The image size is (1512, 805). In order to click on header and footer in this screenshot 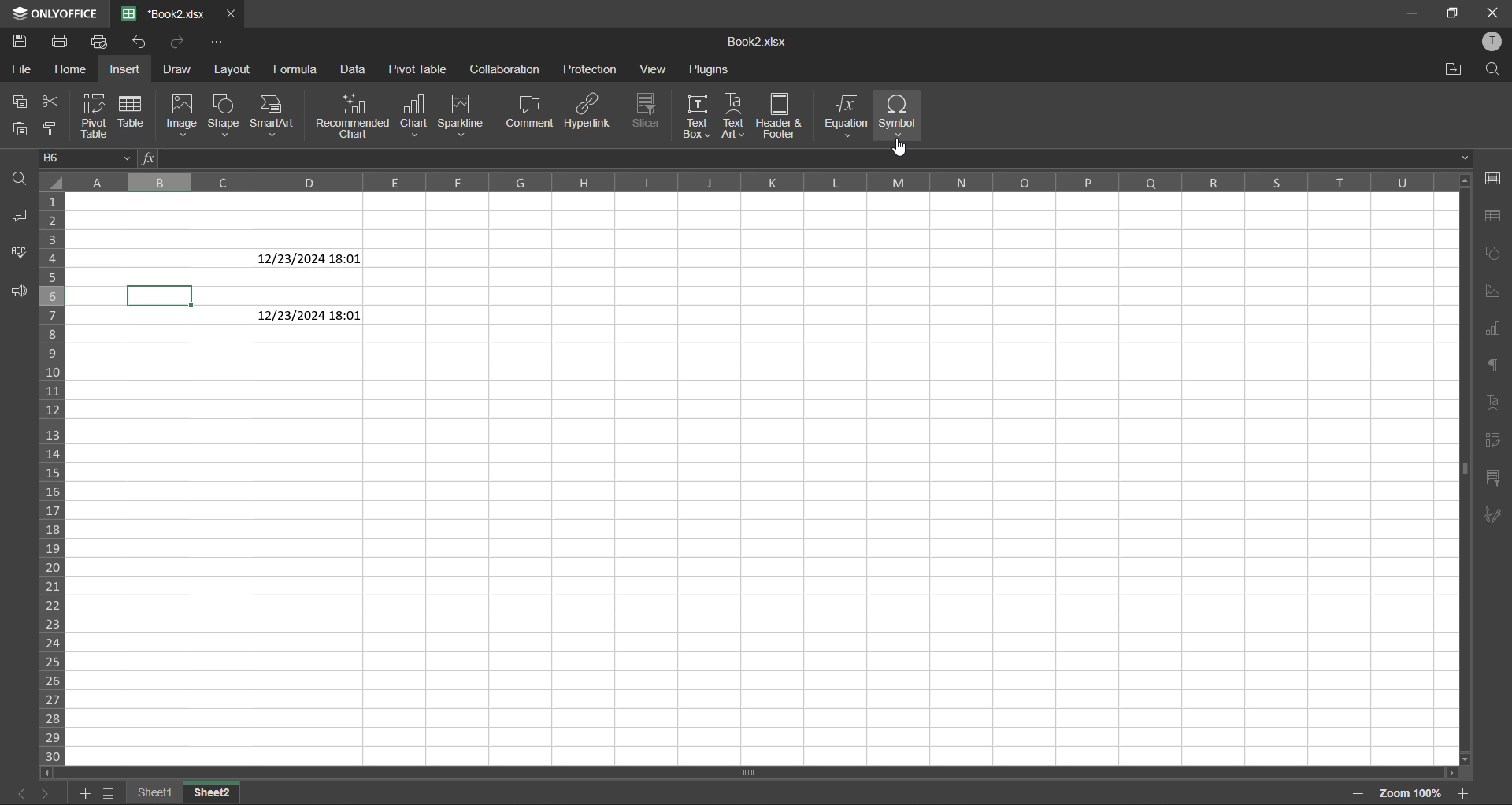, I will do `click(786, 117)`.